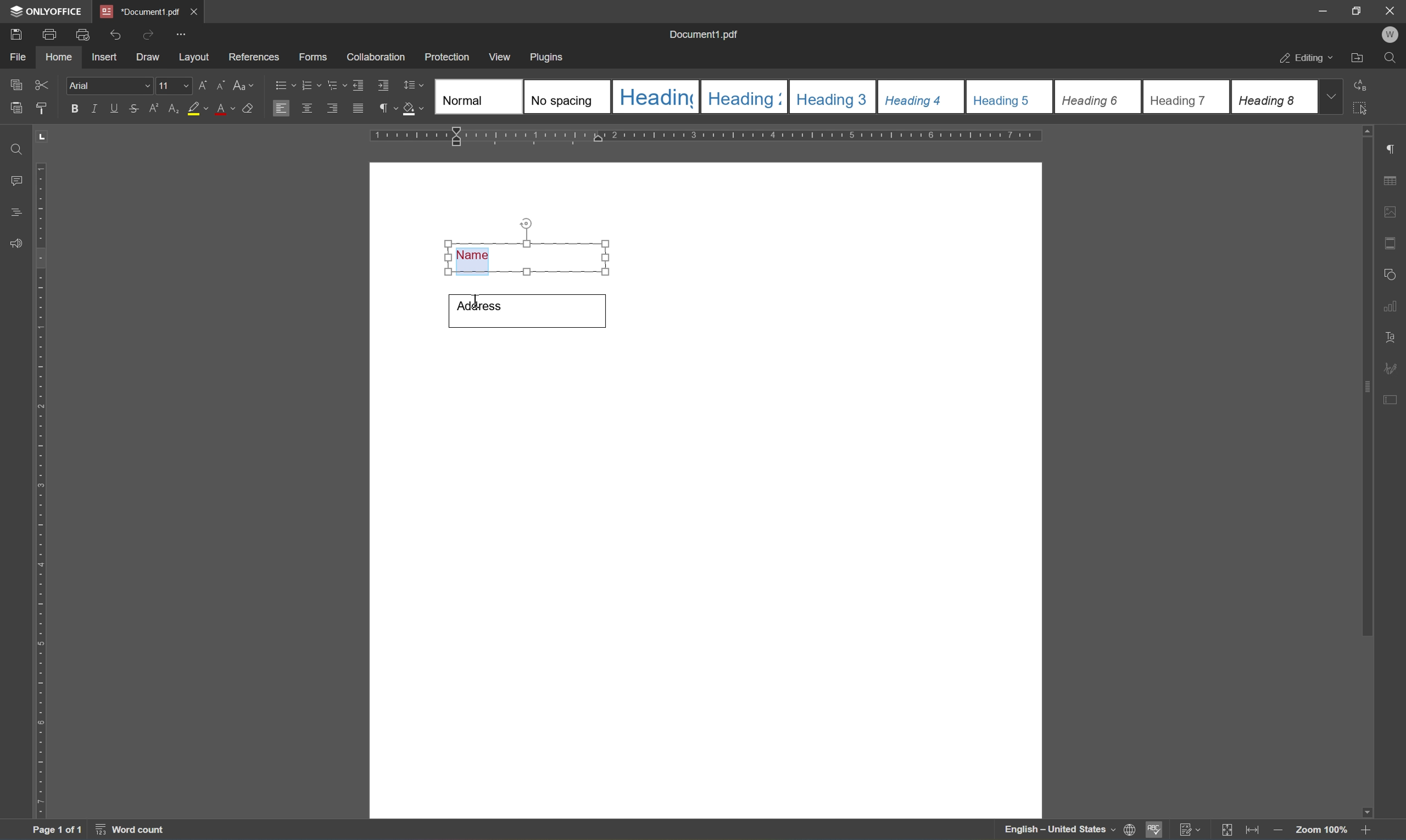  Describe the element at coordinates (59, 830) in the screenshot. I see `page 1 of 1` at that location.